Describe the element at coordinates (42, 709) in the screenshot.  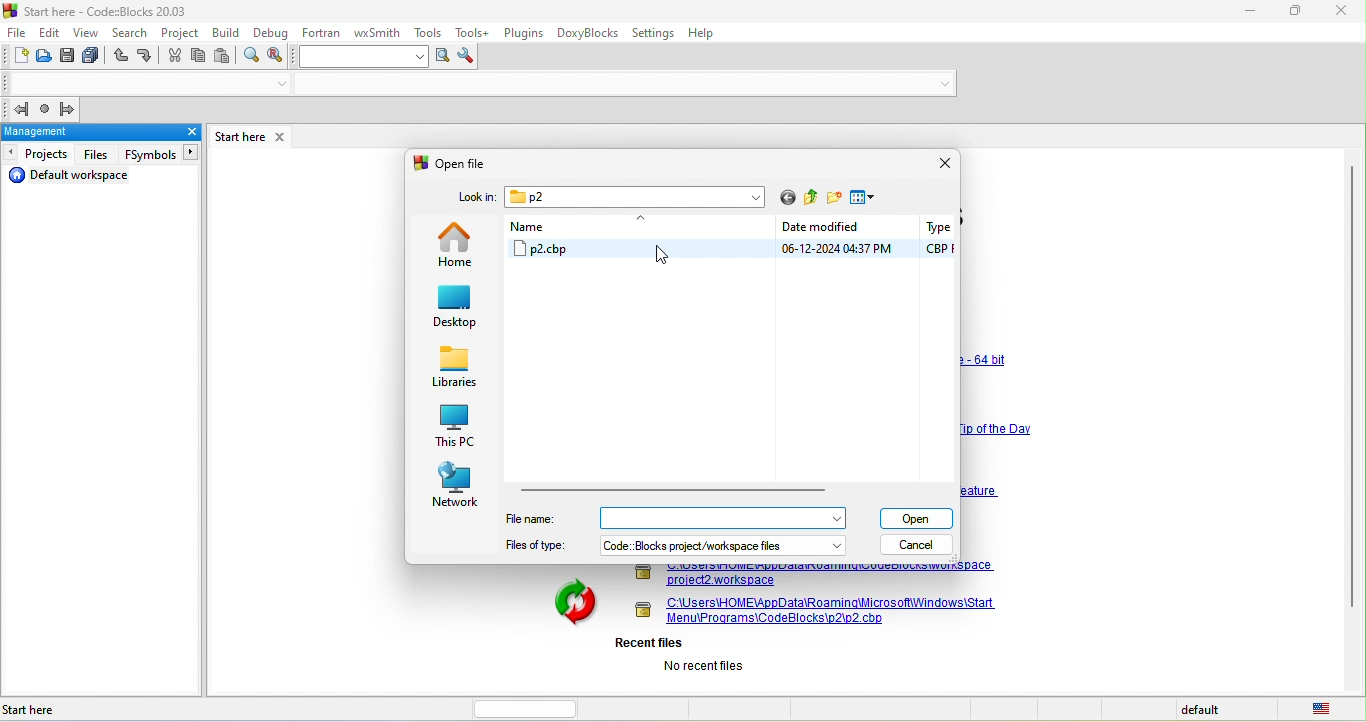
I see `start here` at that location.